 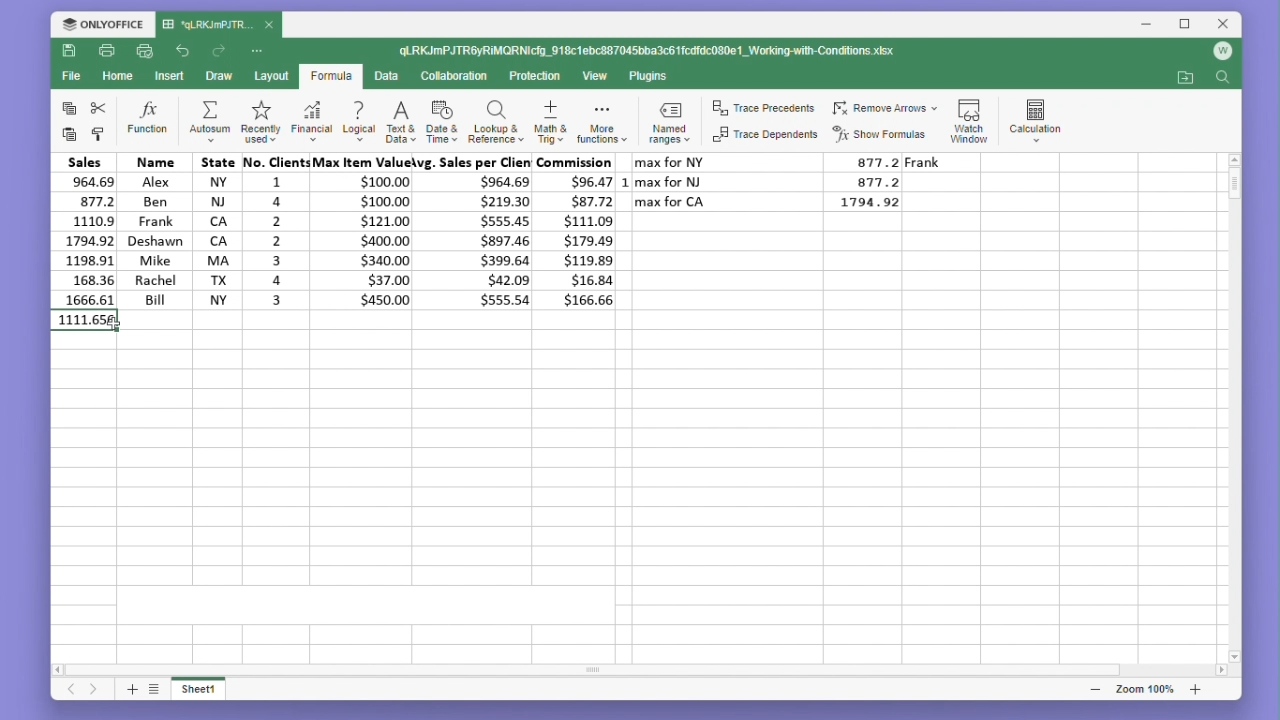 What do you see at coordinates (628, 506) in the screenshot?
I see `Empty cells` at bounding box center [628, 506].